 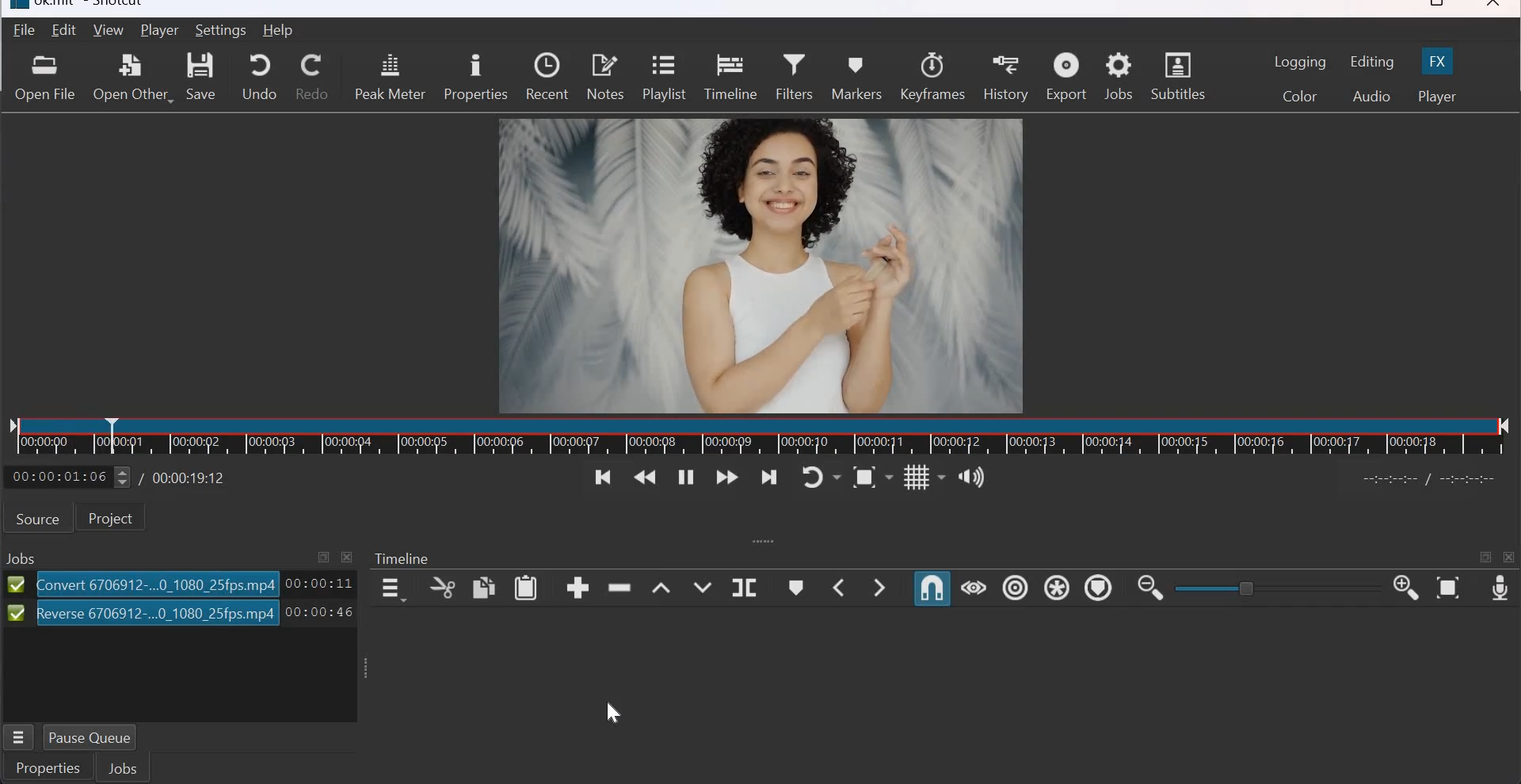 I want to click on Help, so click(x=279, y=31).